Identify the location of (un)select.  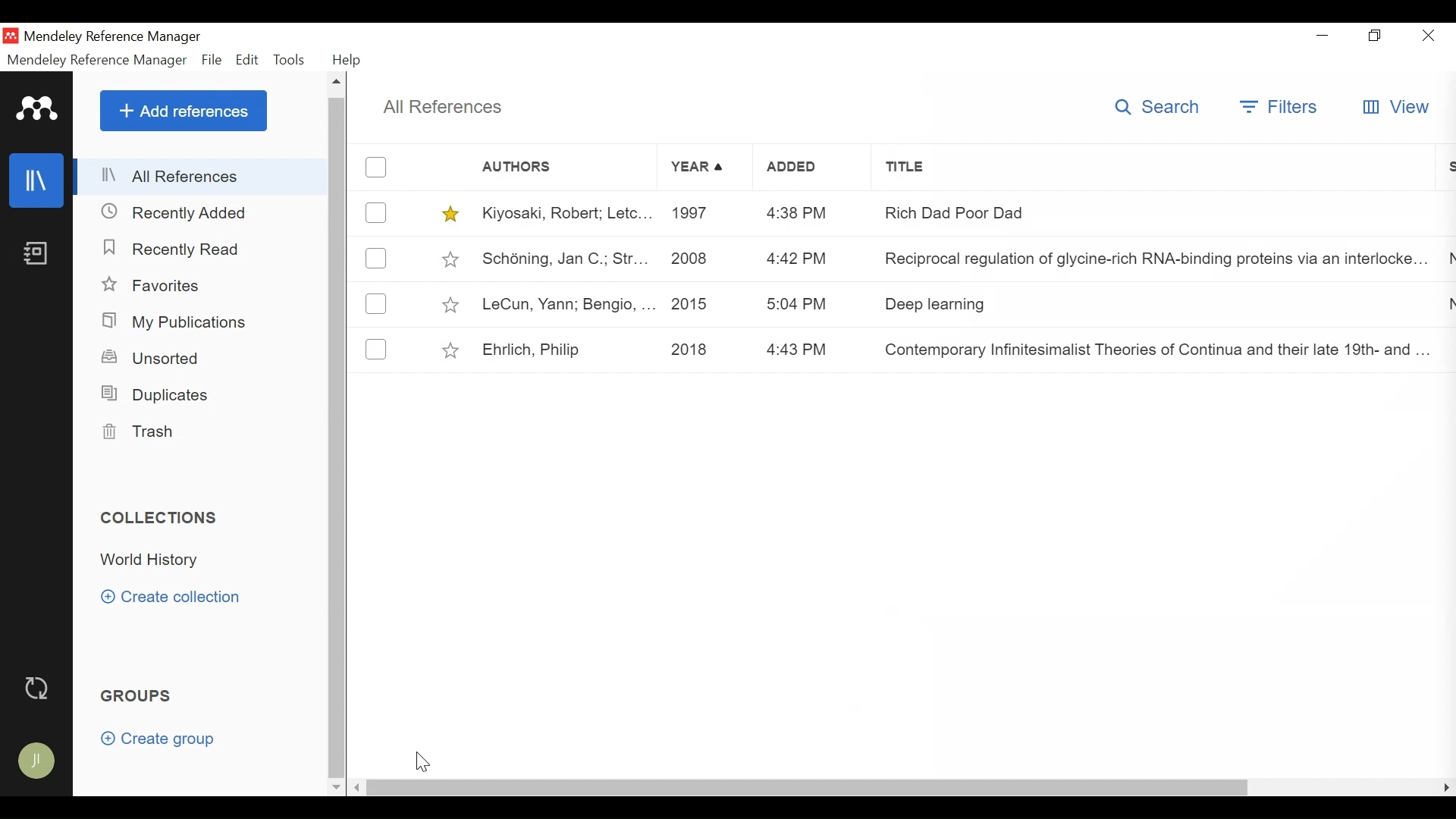
(378, 167).